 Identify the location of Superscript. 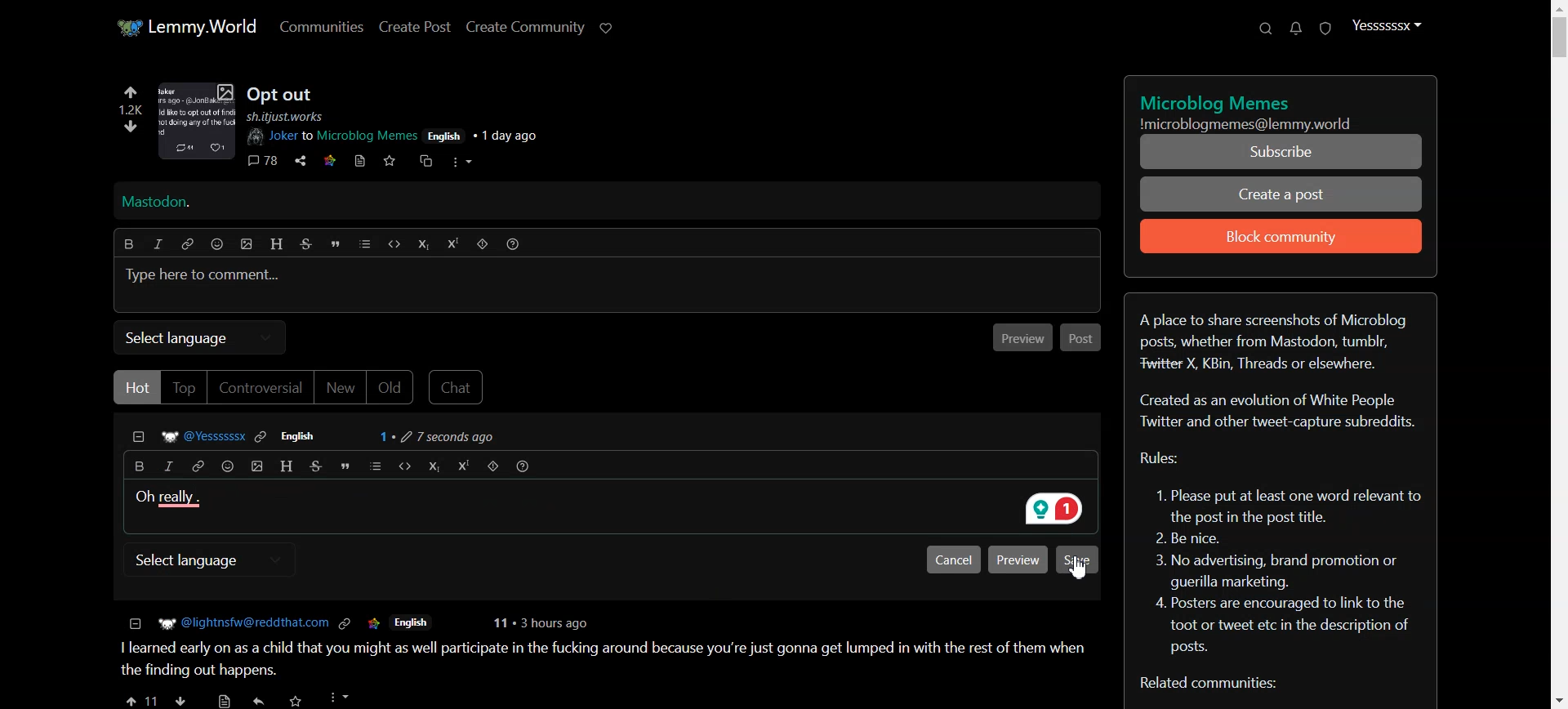
(461, 466).